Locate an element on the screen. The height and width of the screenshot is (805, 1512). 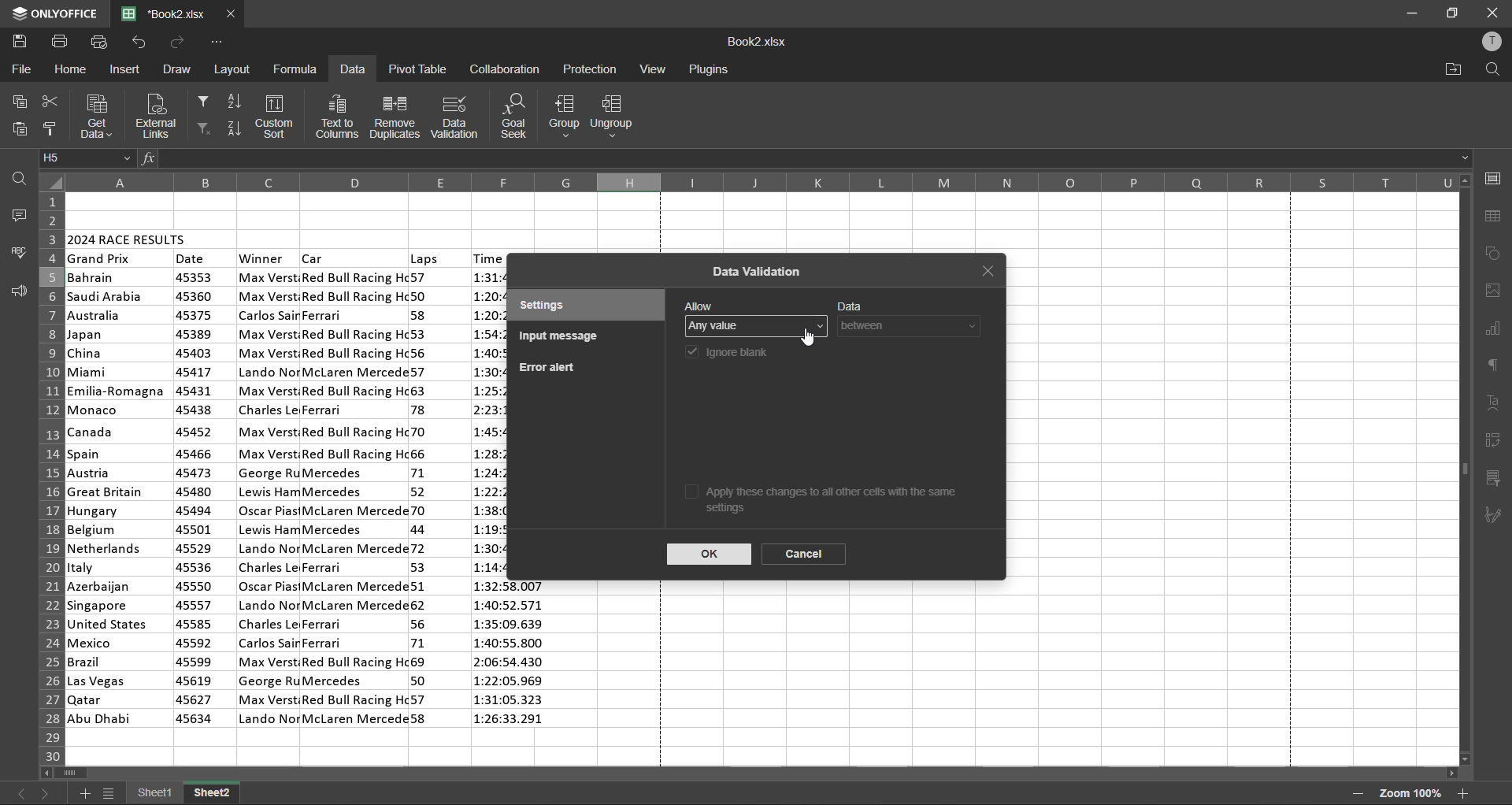
sort ascending is located at coordinates (235, 103).